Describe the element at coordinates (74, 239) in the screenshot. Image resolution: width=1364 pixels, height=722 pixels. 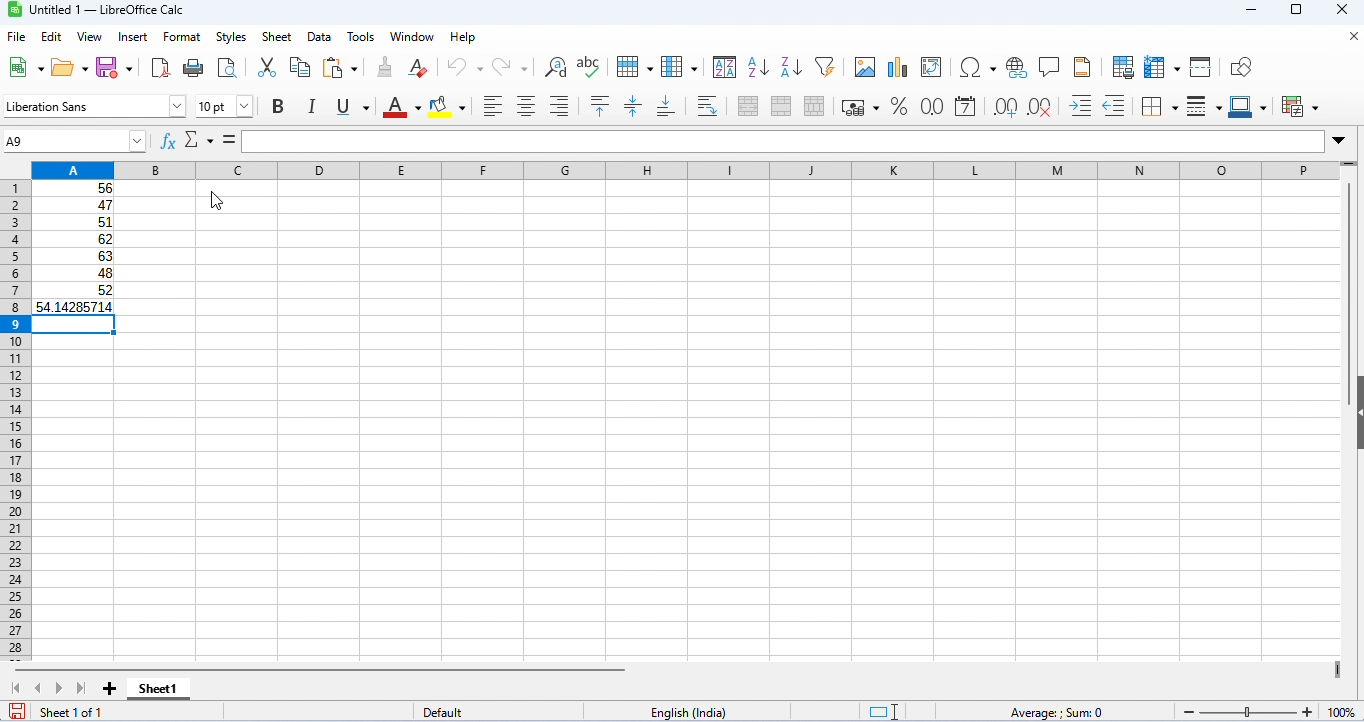
I see `range of cells` at that location.